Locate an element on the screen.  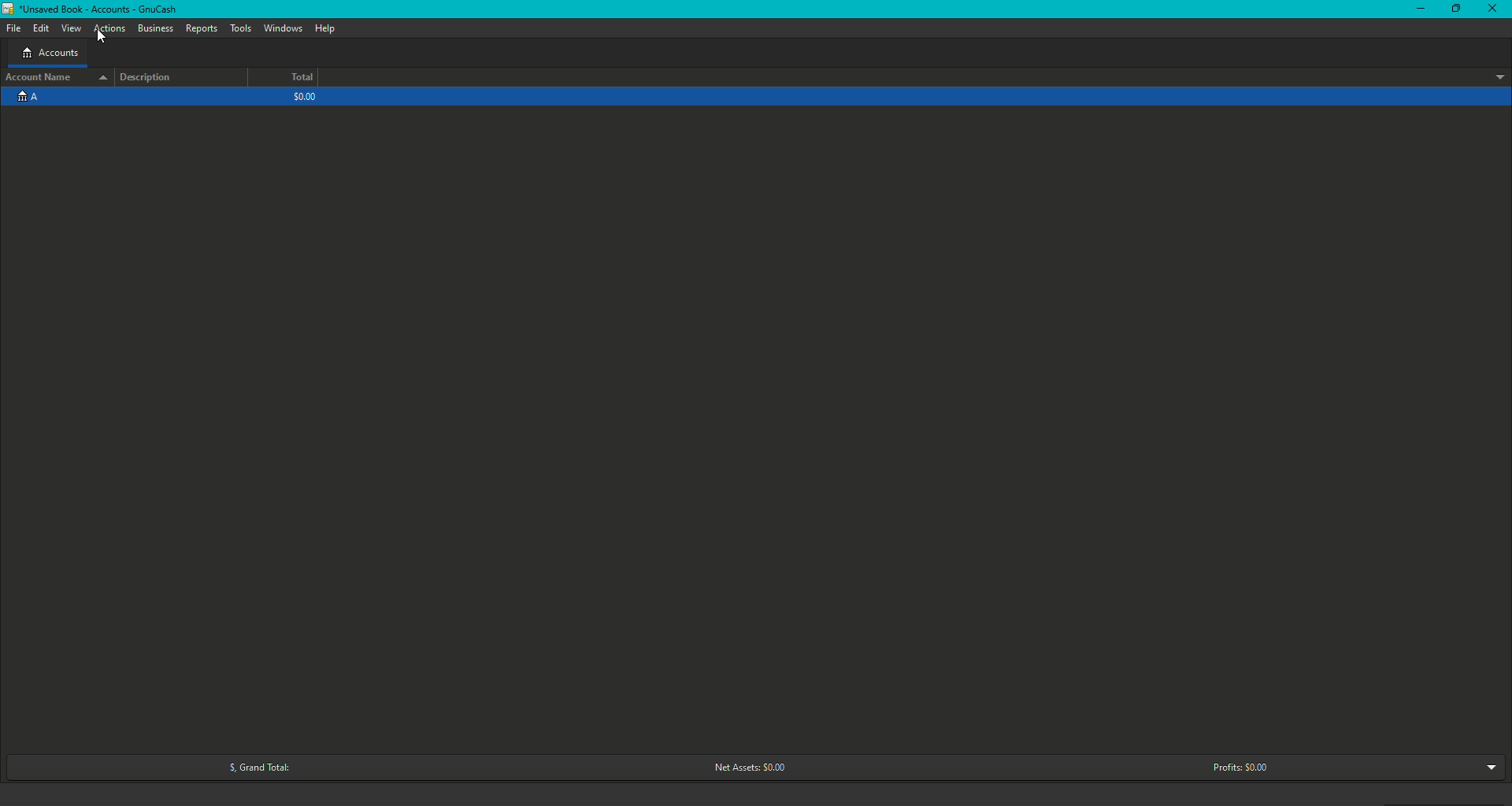
Account A is located at coordinates (31, 98).